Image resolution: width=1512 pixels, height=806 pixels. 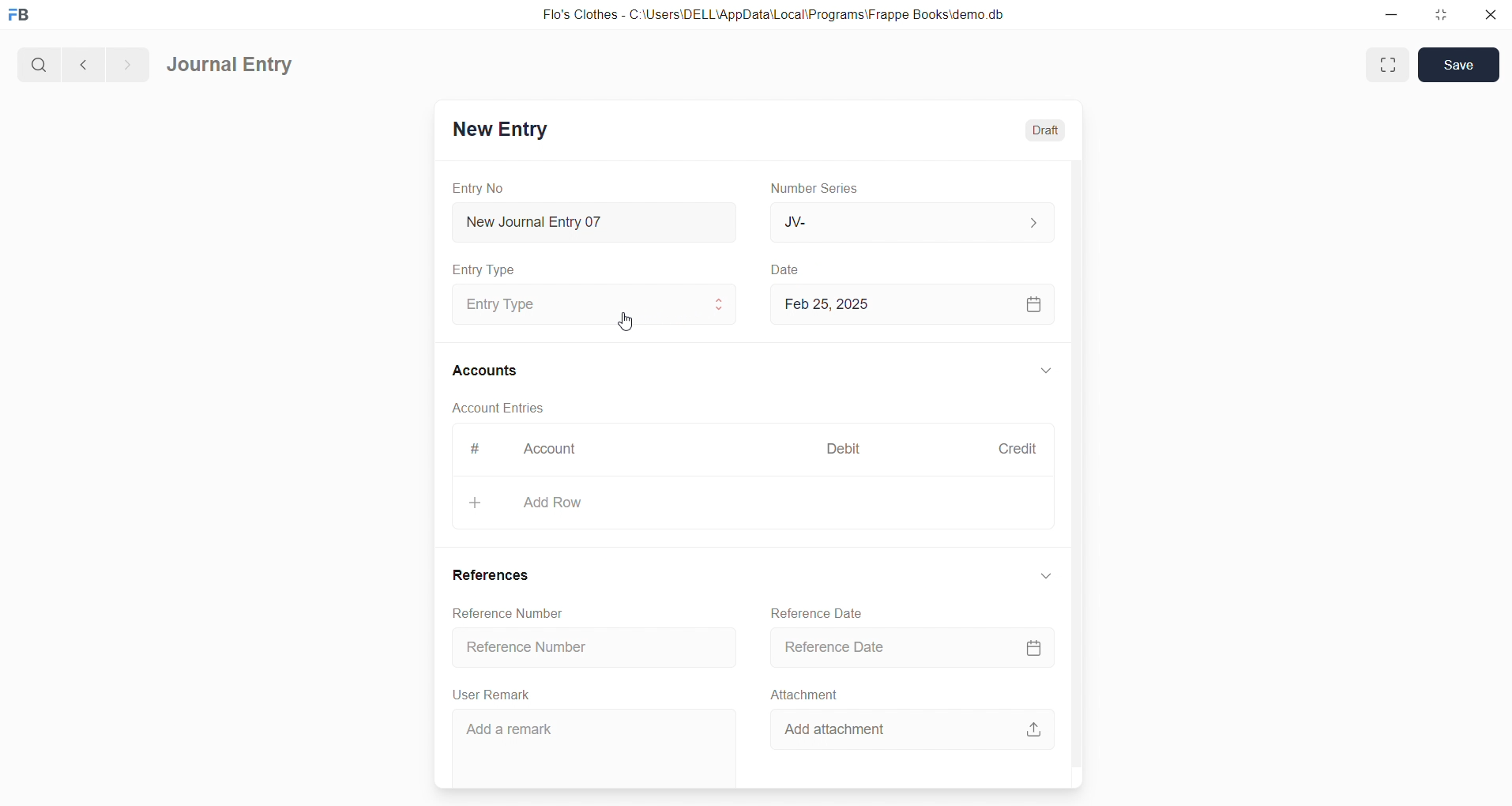 I want to click on vertical scroll bar, so click(x=1076, y=472).